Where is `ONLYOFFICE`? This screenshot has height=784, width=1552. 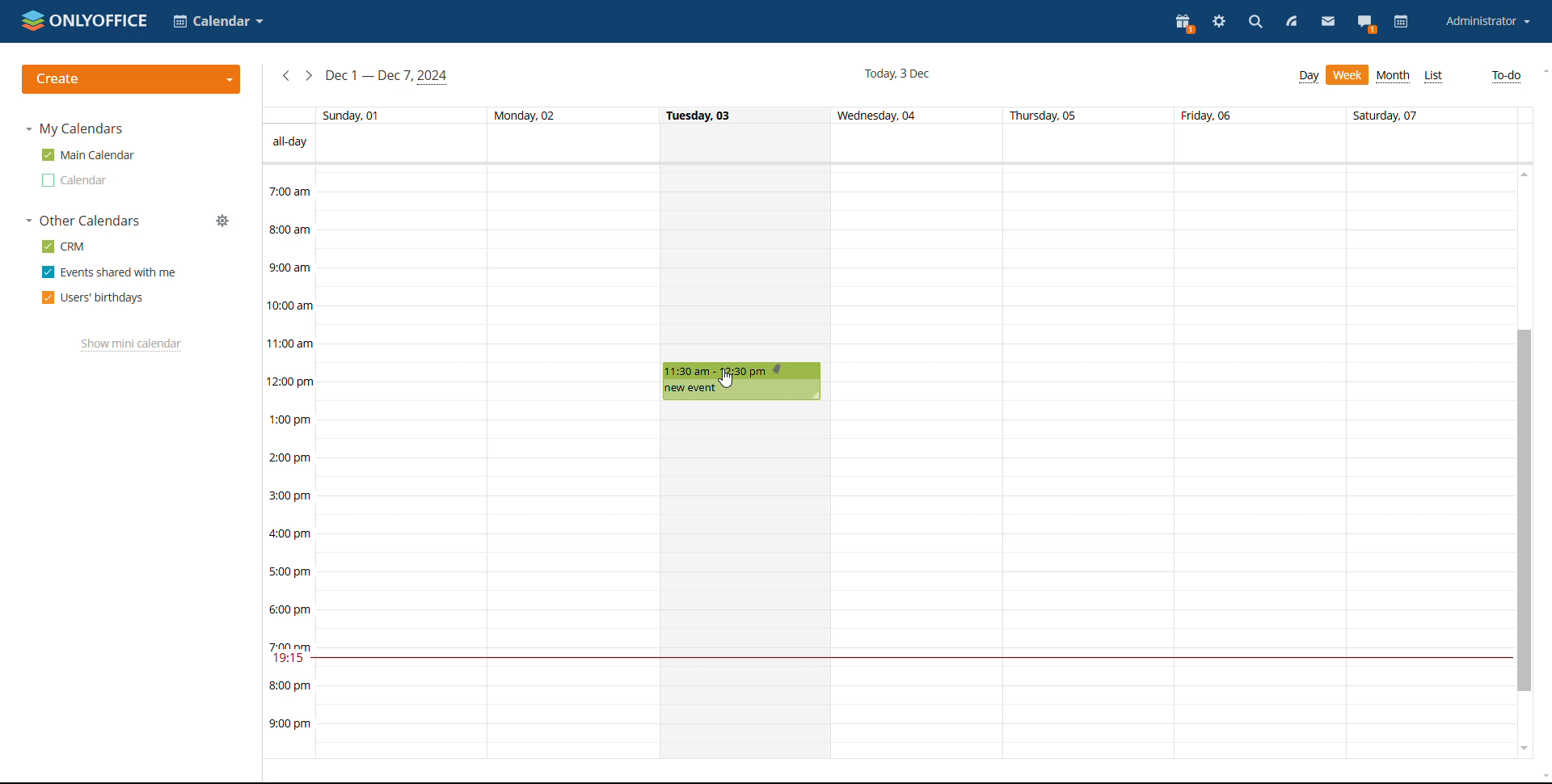 ONLYOFFICE is located at coordinates (83, 19).